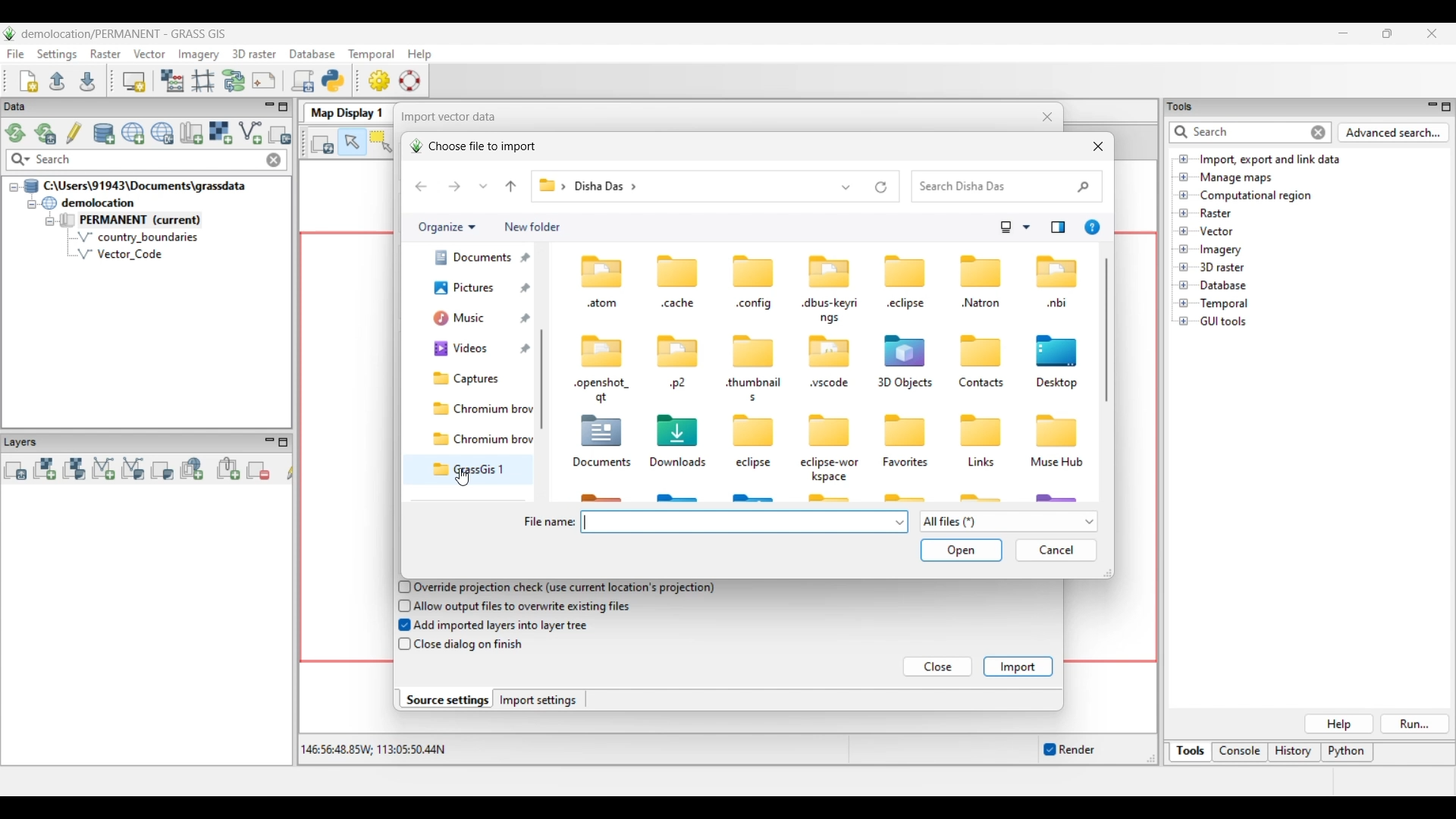  What do you see at coordinates (312, 55) in the screenshot?
I see `Database menu` at bounding box center [312, 55].